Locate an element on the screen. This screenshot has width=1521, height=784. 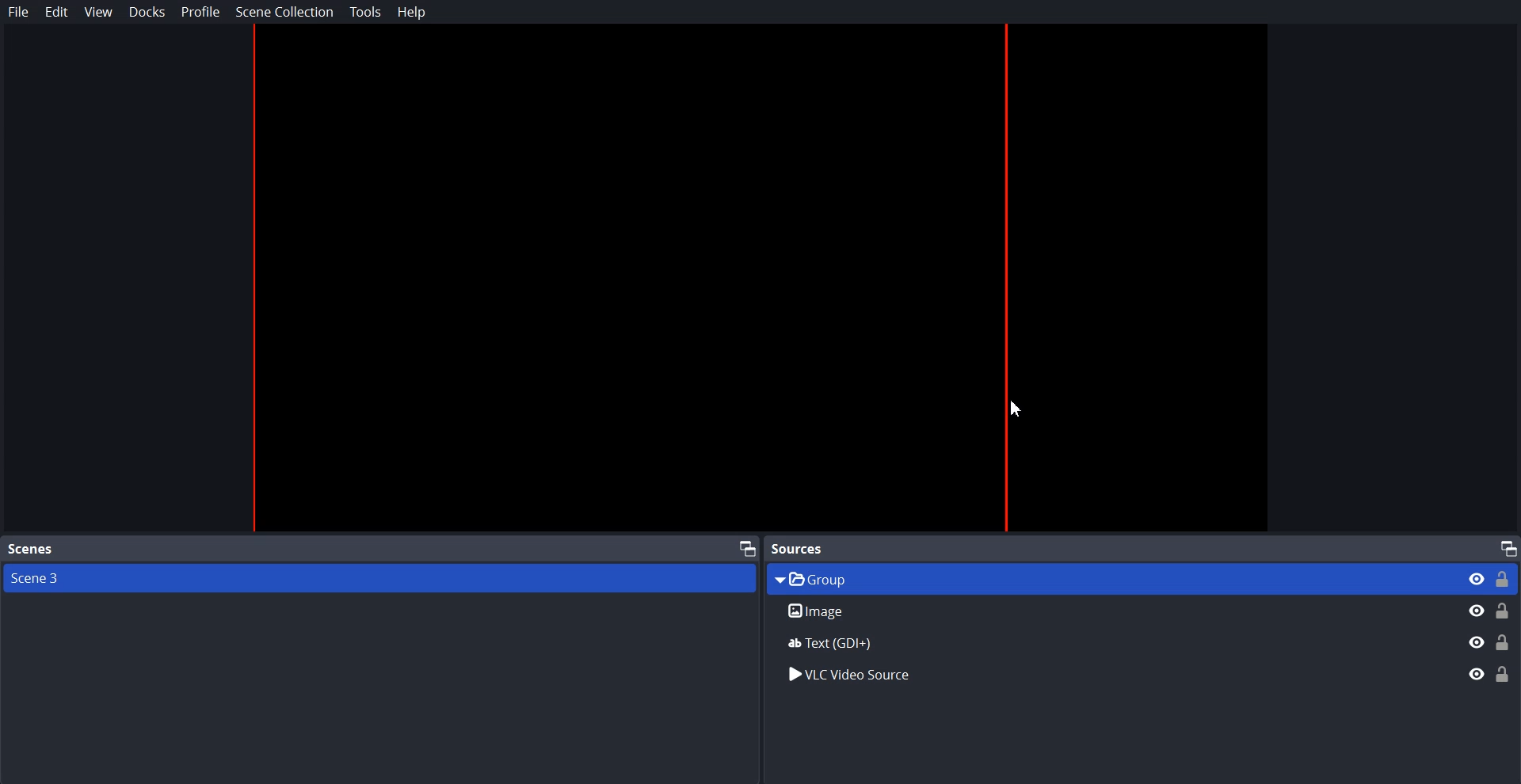
Help is located at coordinates (412, 12).